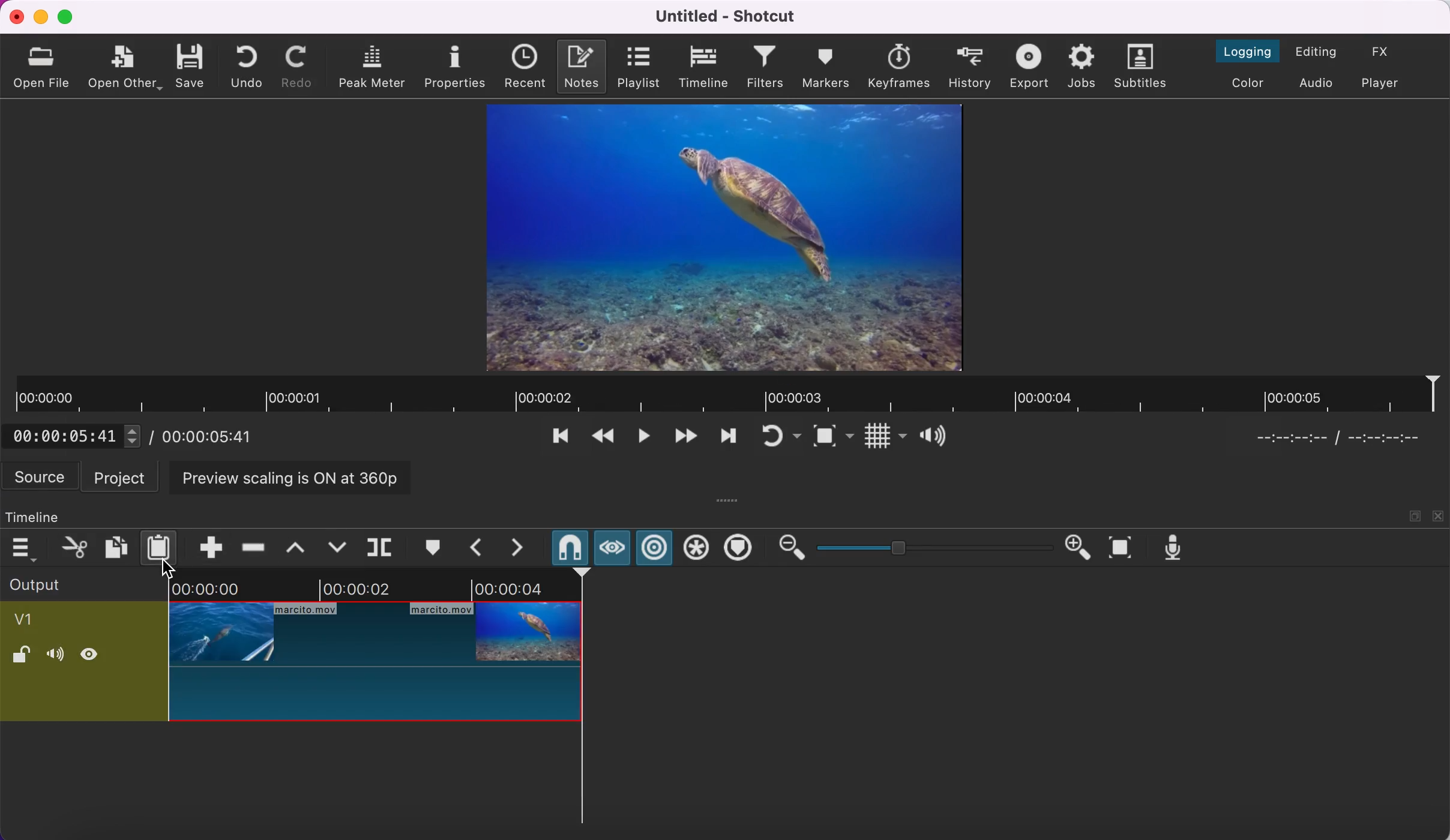  I want to click on lock, so click(23, 658).